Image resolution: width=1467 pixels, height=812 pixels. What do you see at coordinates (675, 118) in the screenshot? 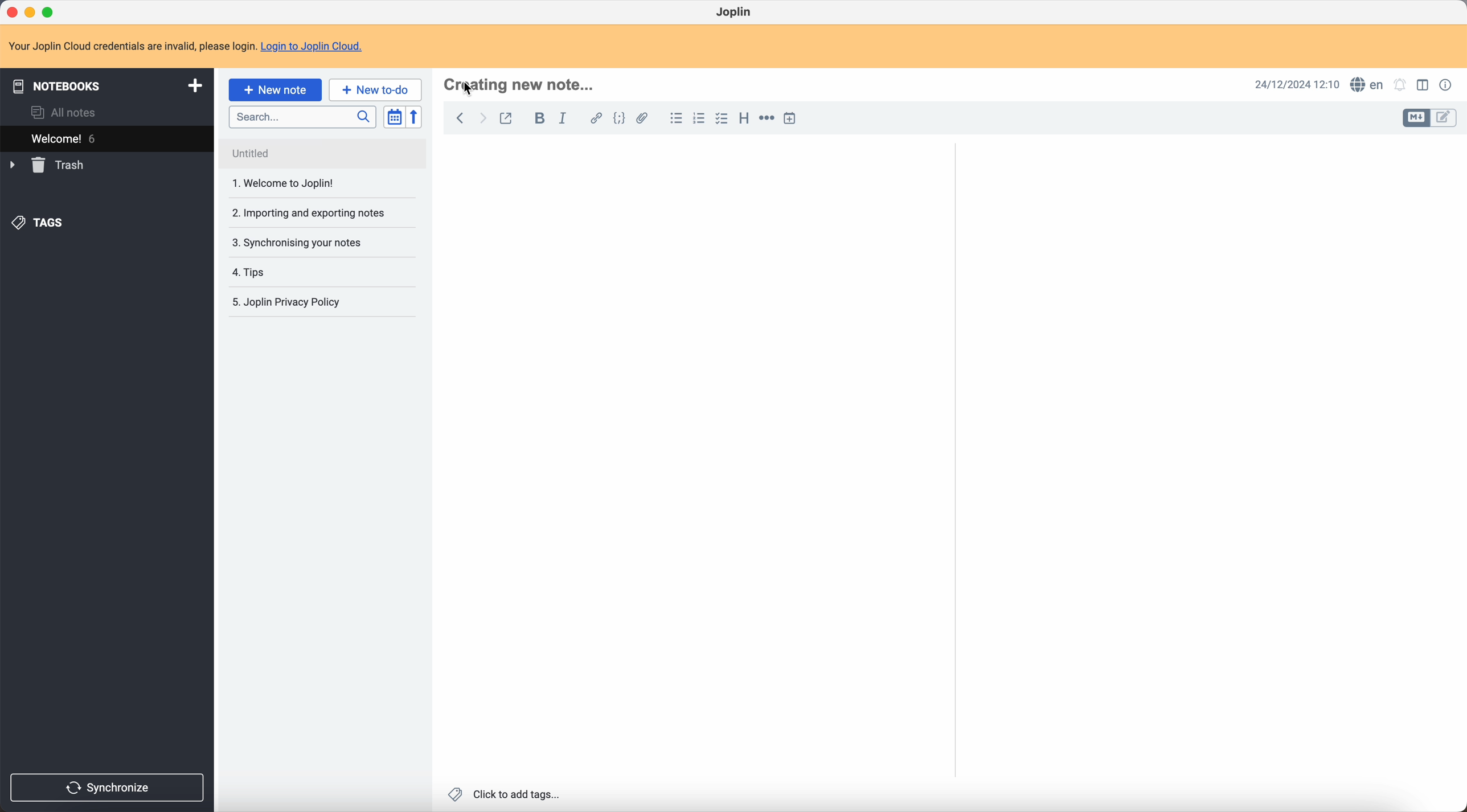
I see `bulleted list` at bounding box center [675, 118].